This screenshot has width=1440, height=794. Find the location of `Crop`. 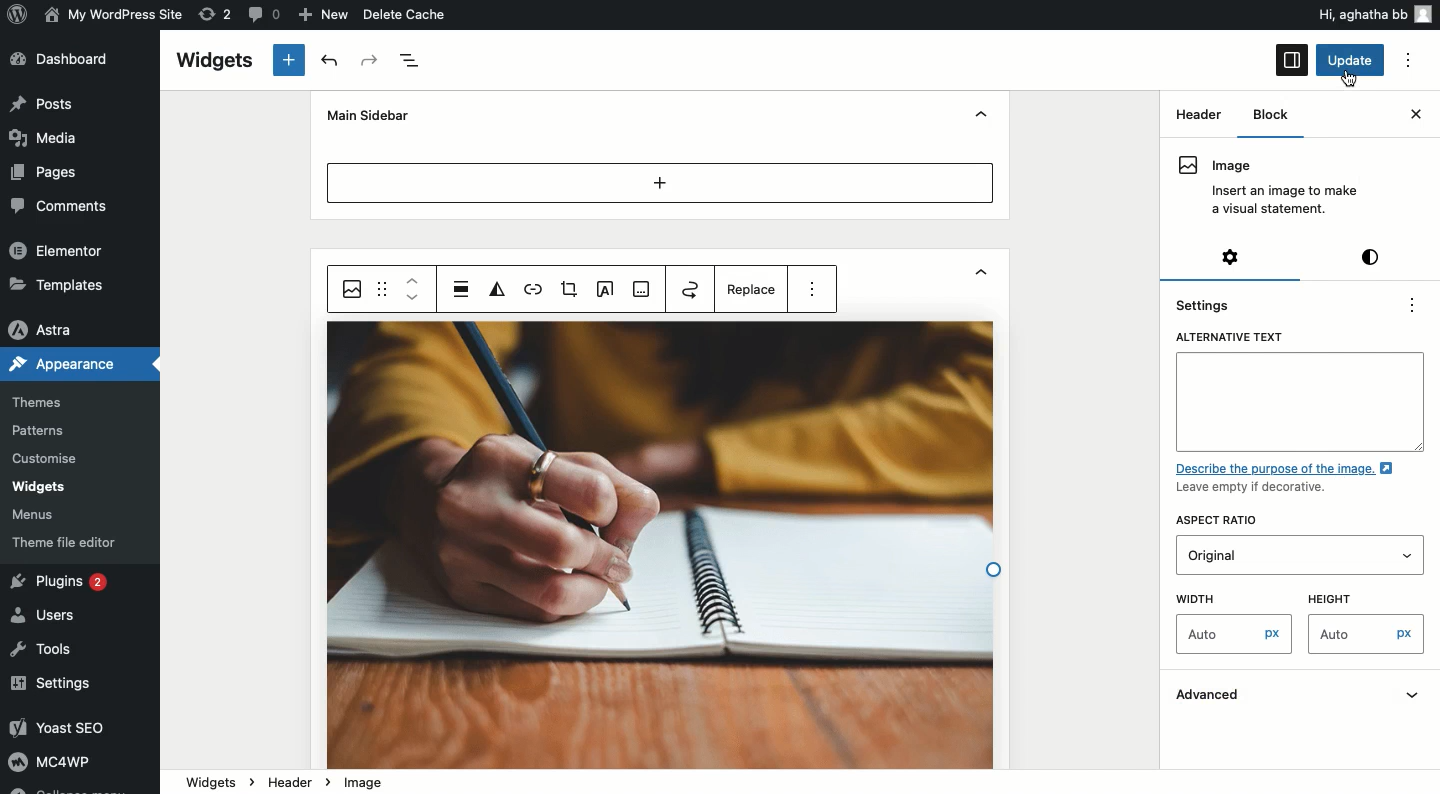

Crop is located at coordinates (568, 290).